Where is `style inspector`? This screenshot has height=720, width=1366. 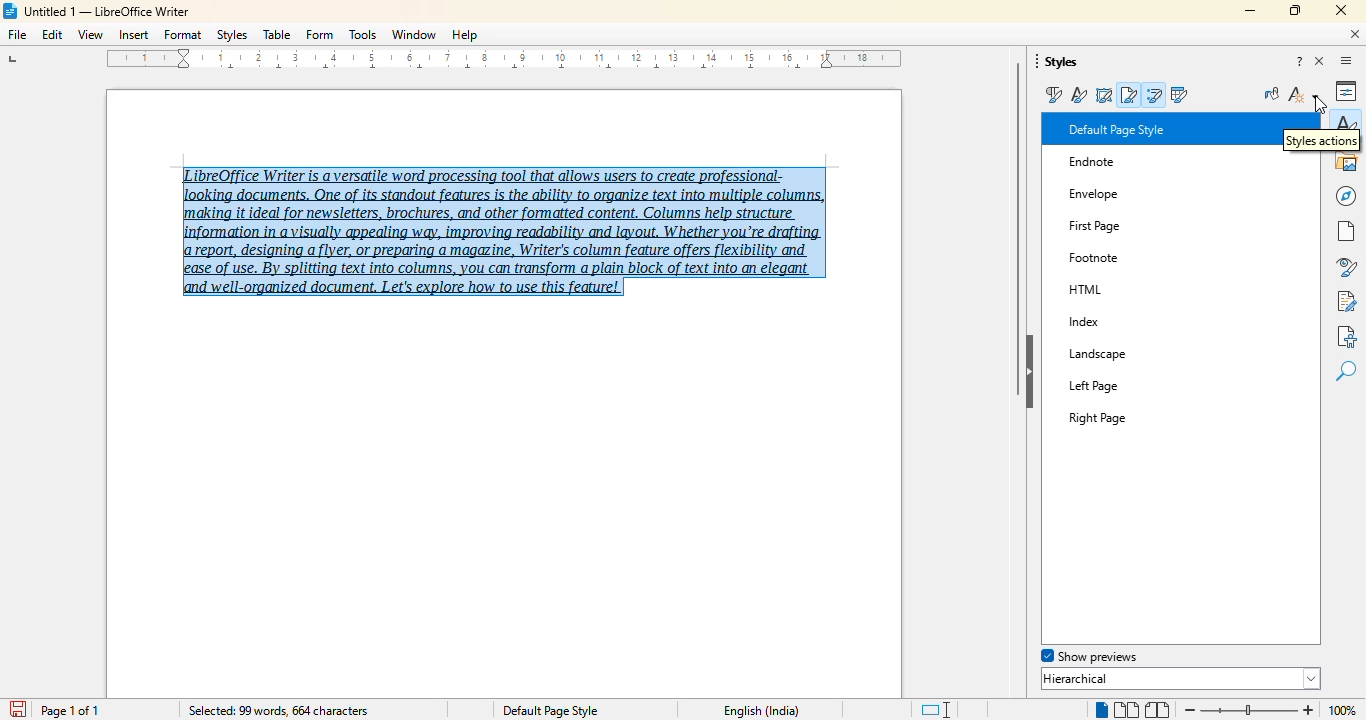 style inspector is located at coordinates (1346, 268).